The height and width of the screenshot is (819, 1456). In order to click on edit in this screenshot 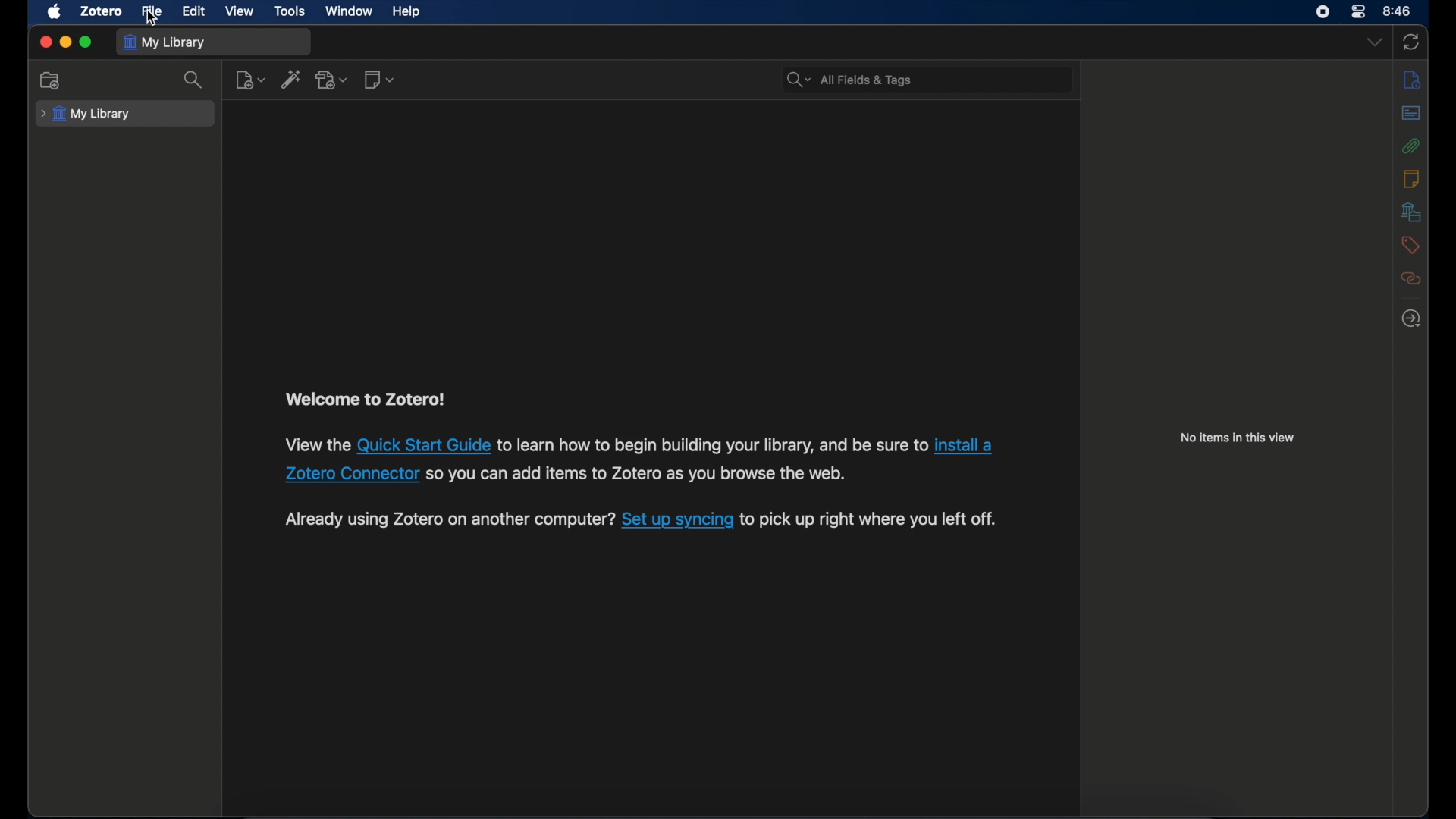, I will do `click(195, 12)`.